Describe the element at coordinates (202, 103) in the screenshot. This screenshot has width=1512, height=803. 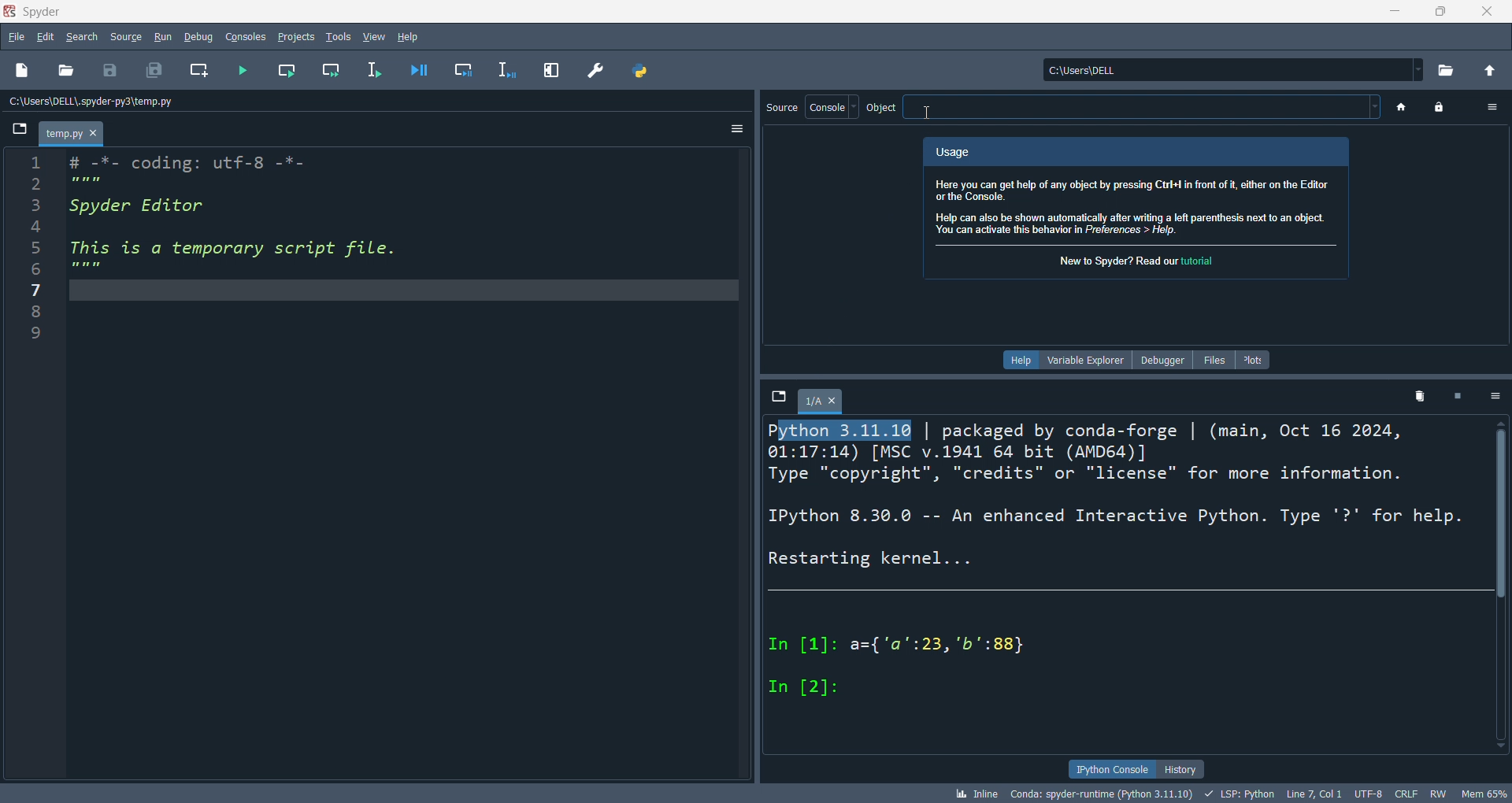
I see `file path: c:\user\dell\.spyder-py3\temp.py` at that location.